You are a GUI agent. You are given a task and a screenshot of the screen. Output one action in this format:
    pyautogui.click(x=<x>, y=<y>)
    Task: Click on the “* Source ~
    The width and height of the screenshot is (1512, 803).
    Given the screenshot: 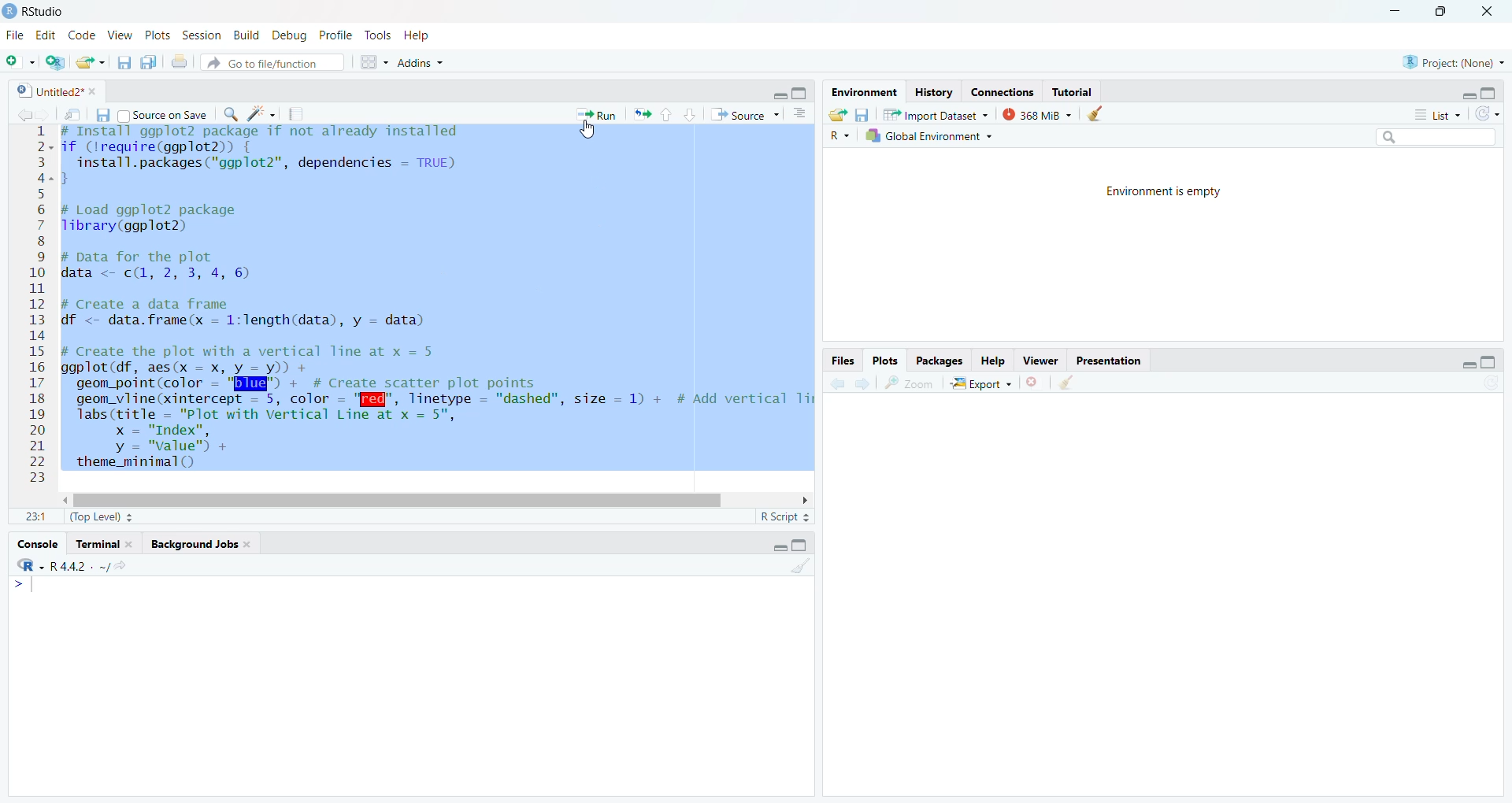 What is the action you would take?
    pyautogui.click(x=750, y=115)
    